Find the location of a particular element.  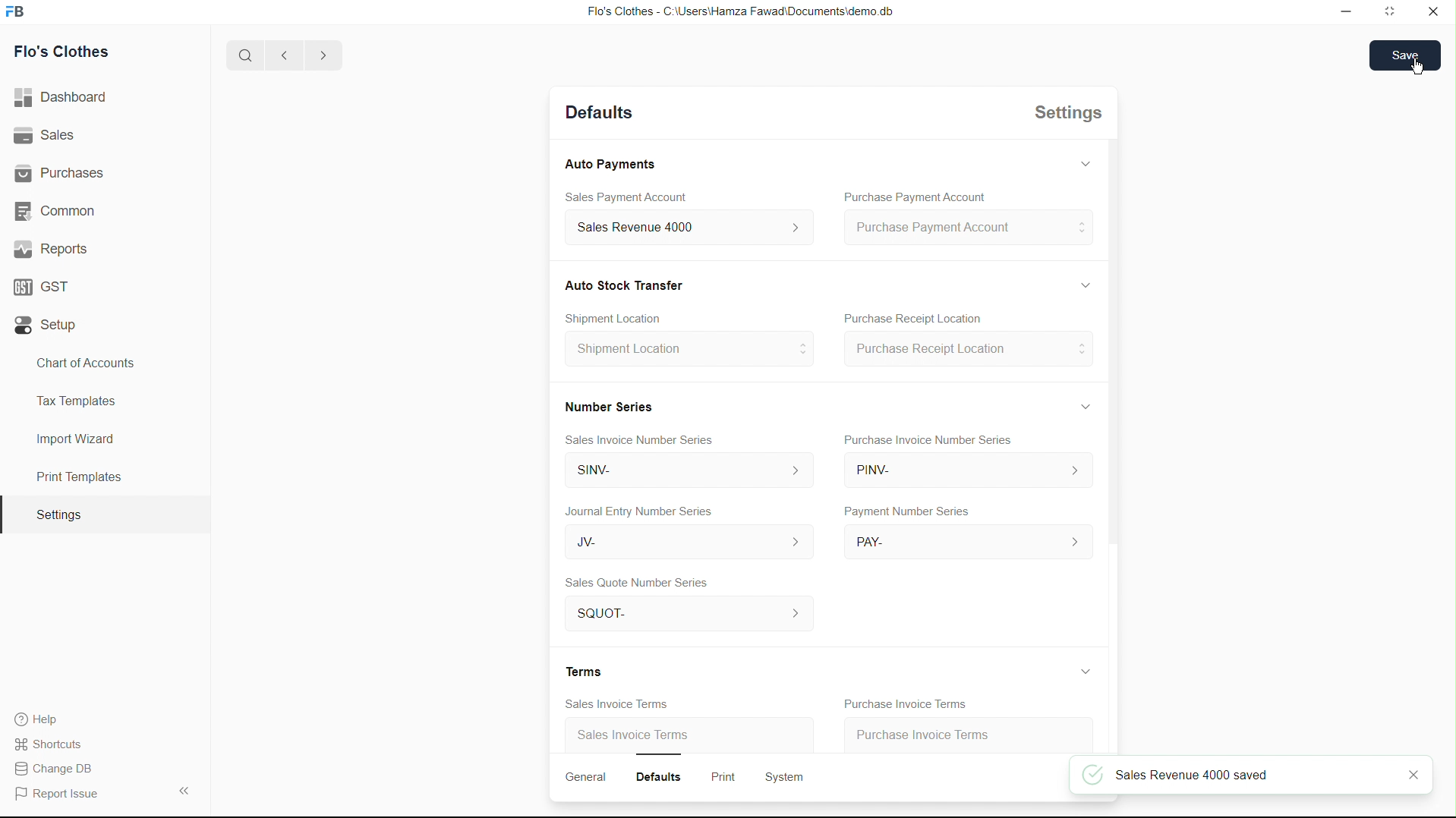

Purchase Payment Account is located at coordinates (966, 228).